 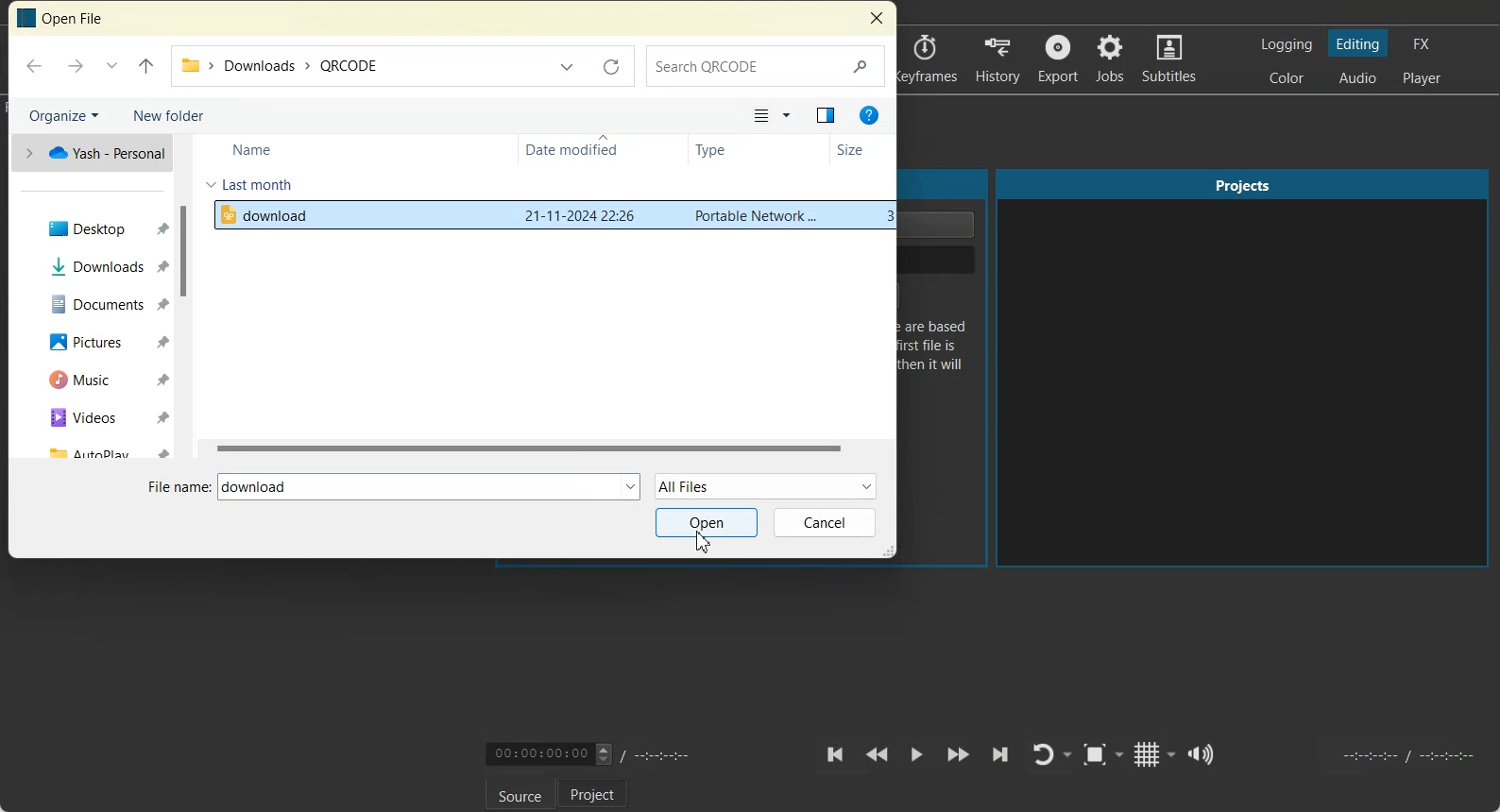 What do you see at coordinates (611, 66) in the screenshot?
I see `Refersh` at bounding box center [611, 66].